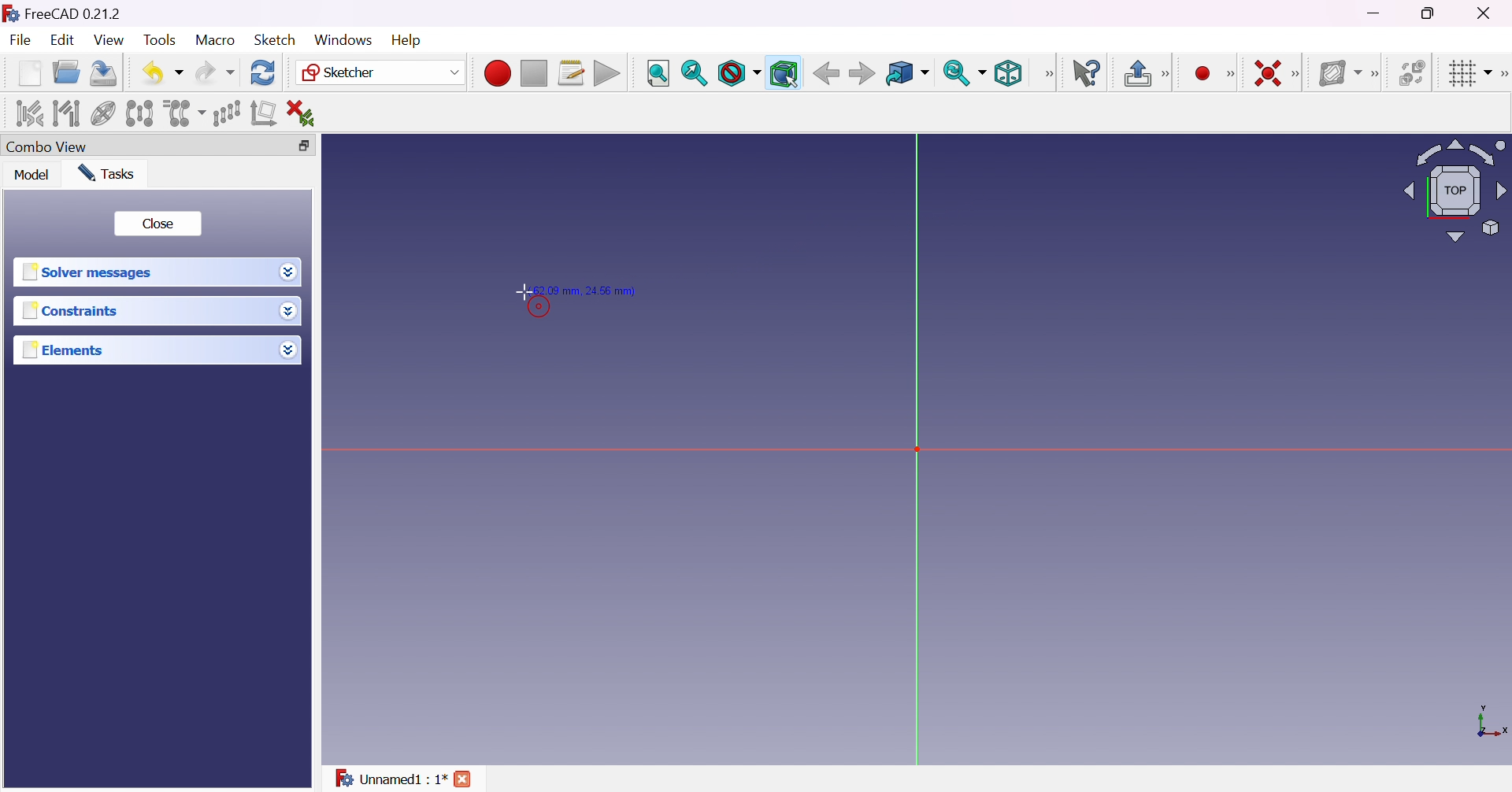 The height and width of the screenshot is (792, 1512). Describe the element at coordinates (67, 112) in the screenshot. I see `Select associated geometry` at that location.